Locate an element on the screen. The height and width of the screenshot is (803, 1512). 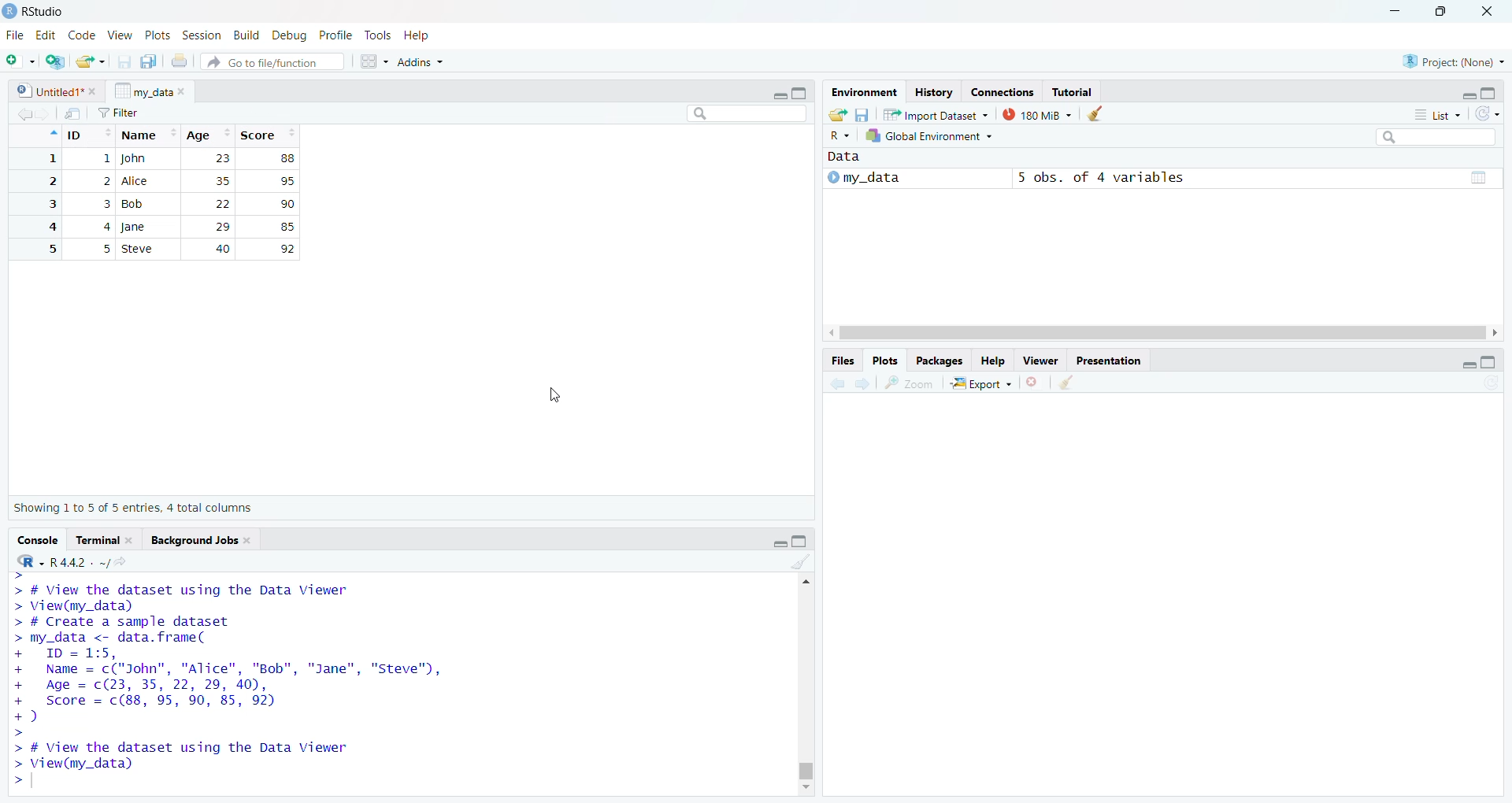
Edit is located at coordinates (47, 35).